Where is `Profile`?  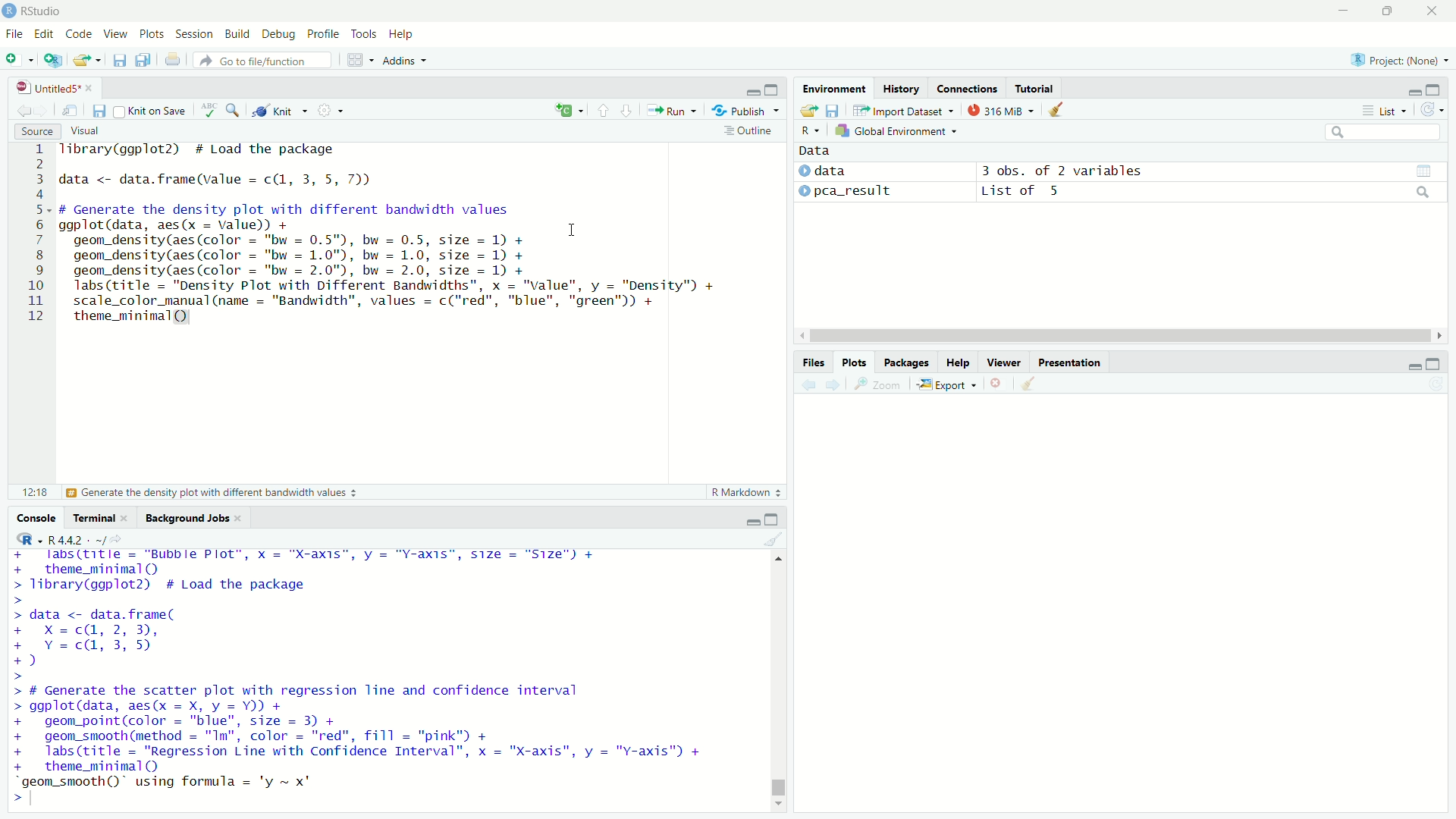 Profile is located at coordinates (323, 33).